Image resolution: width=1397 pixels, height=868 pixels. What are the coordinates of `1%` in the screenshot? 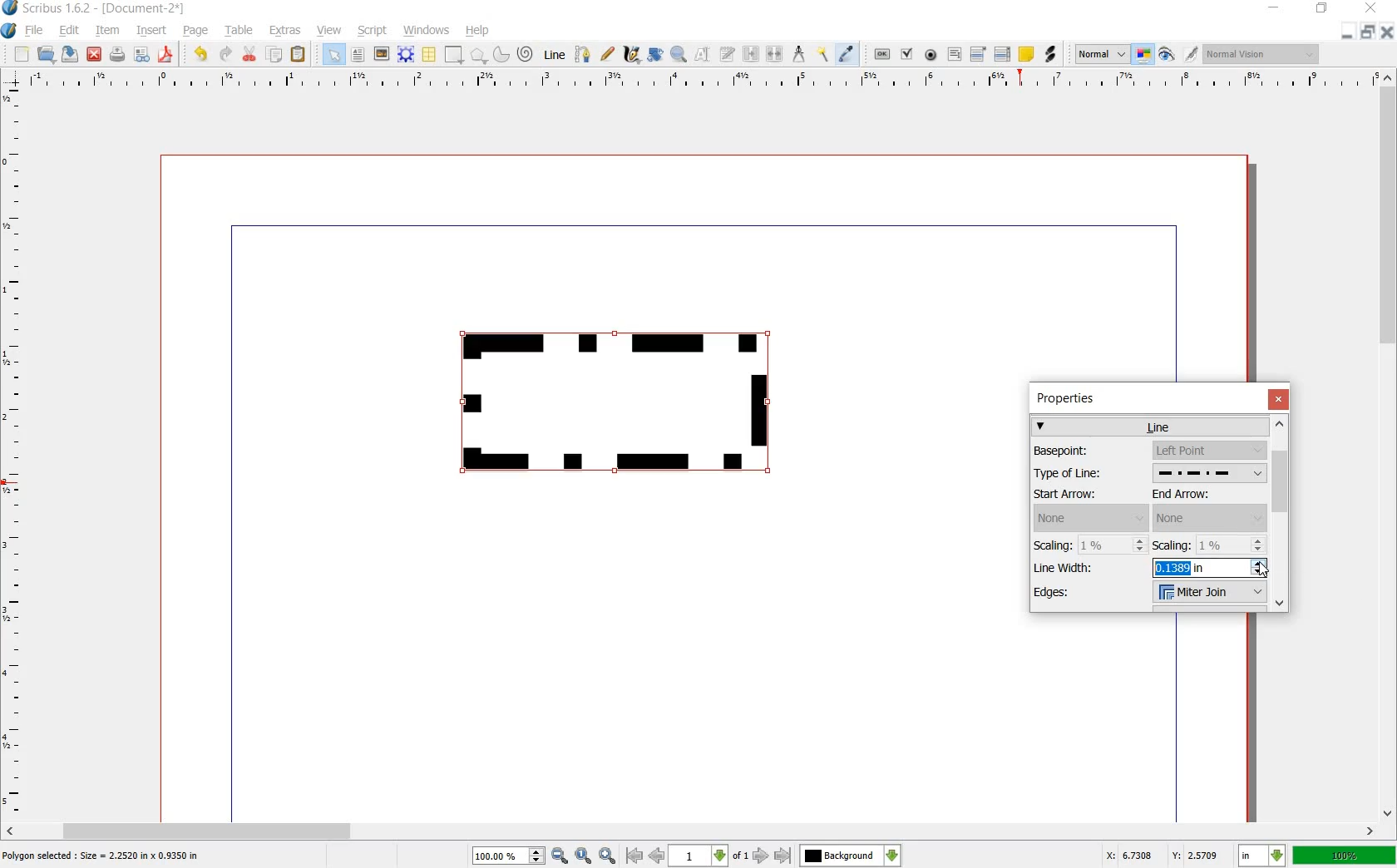 It's located at (1114, 545).